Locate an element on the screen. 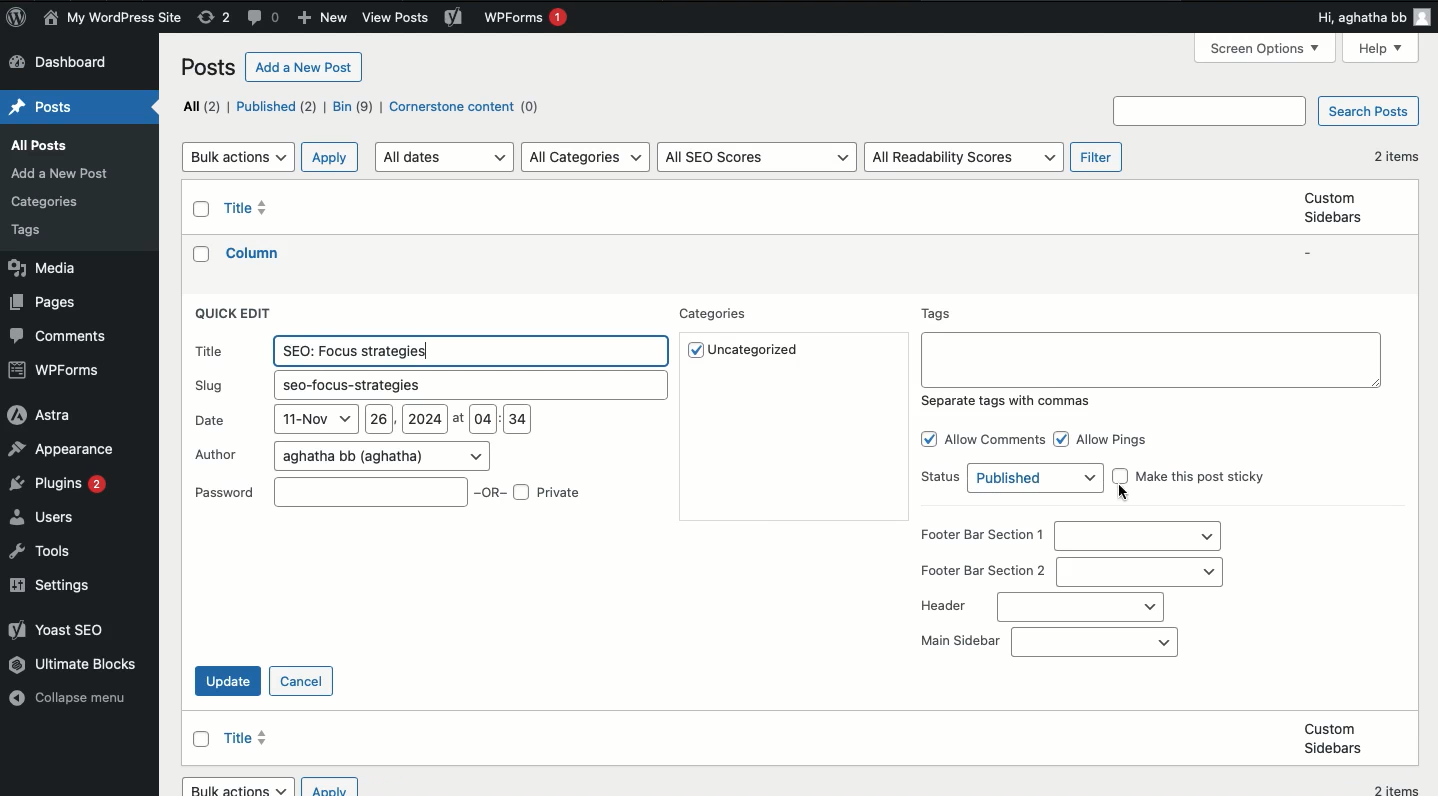 The height and width of the screenshot is (796, 1438). Quick edit is located at coordinates (237, 313).